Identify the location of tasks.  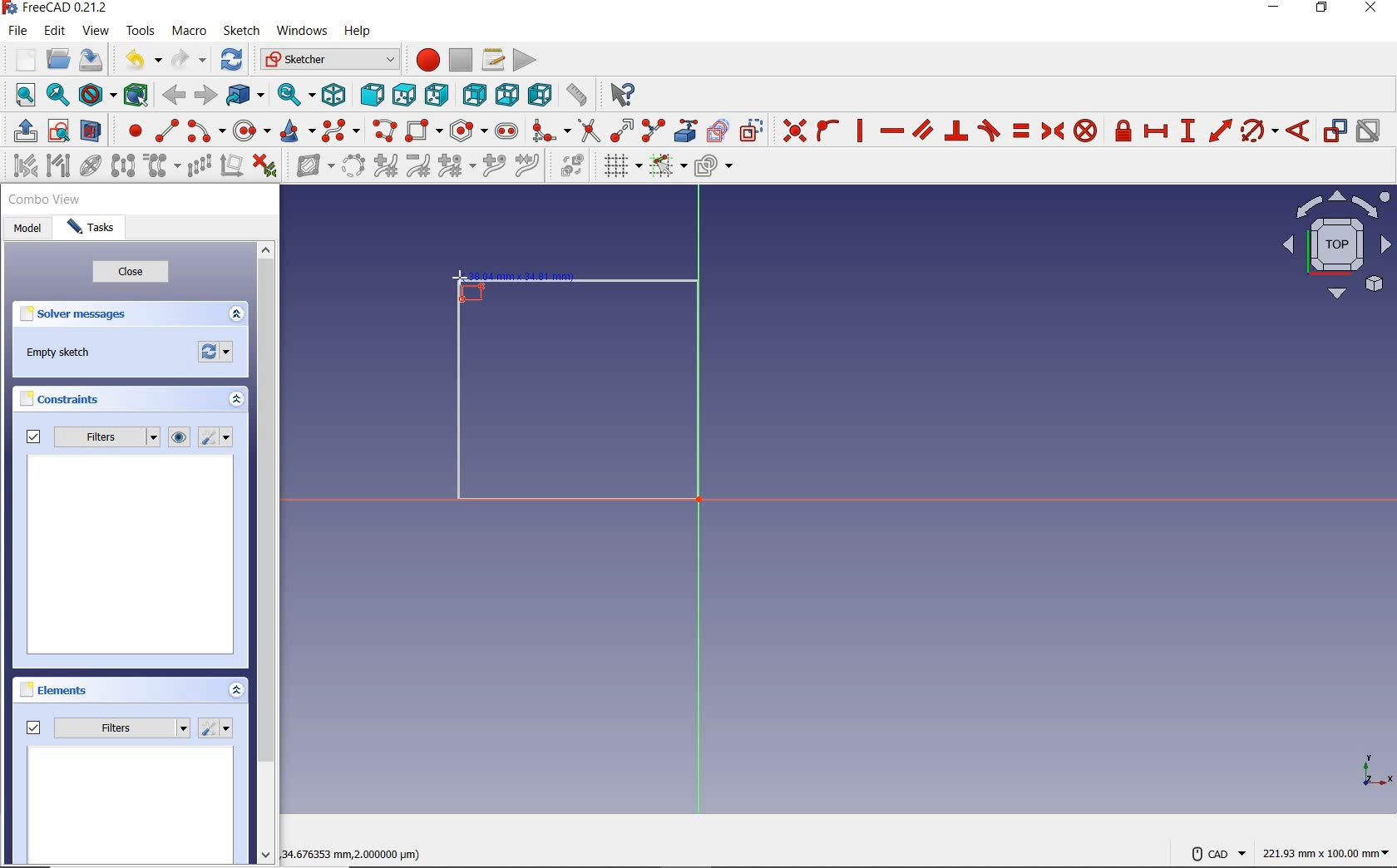
(96, 229).